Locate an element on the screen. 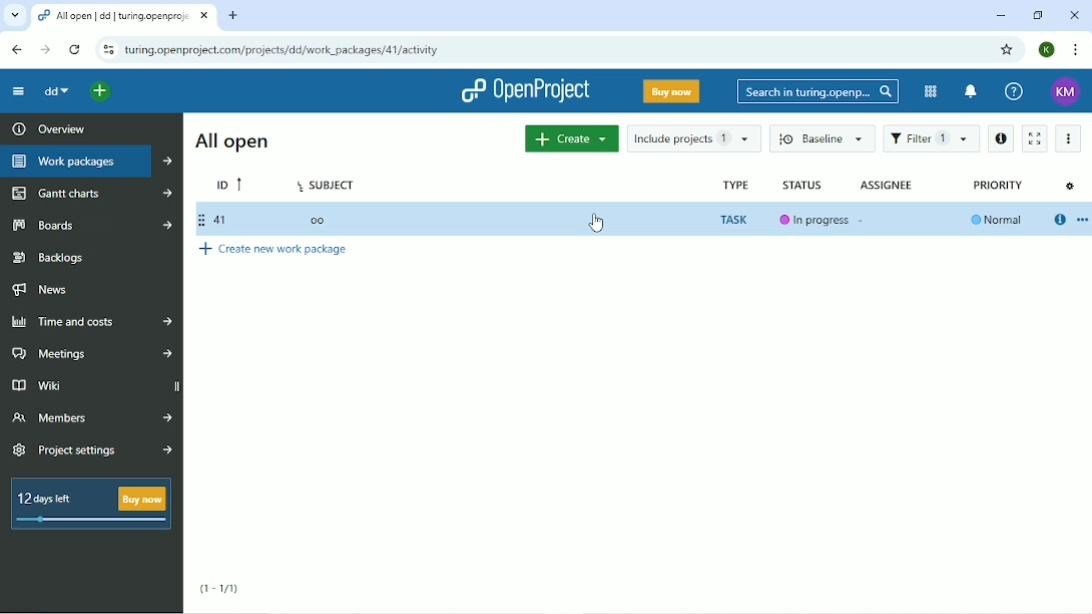 The width and height of the screenshot is (1092, 614). All open is located at coordinates (233, 141).